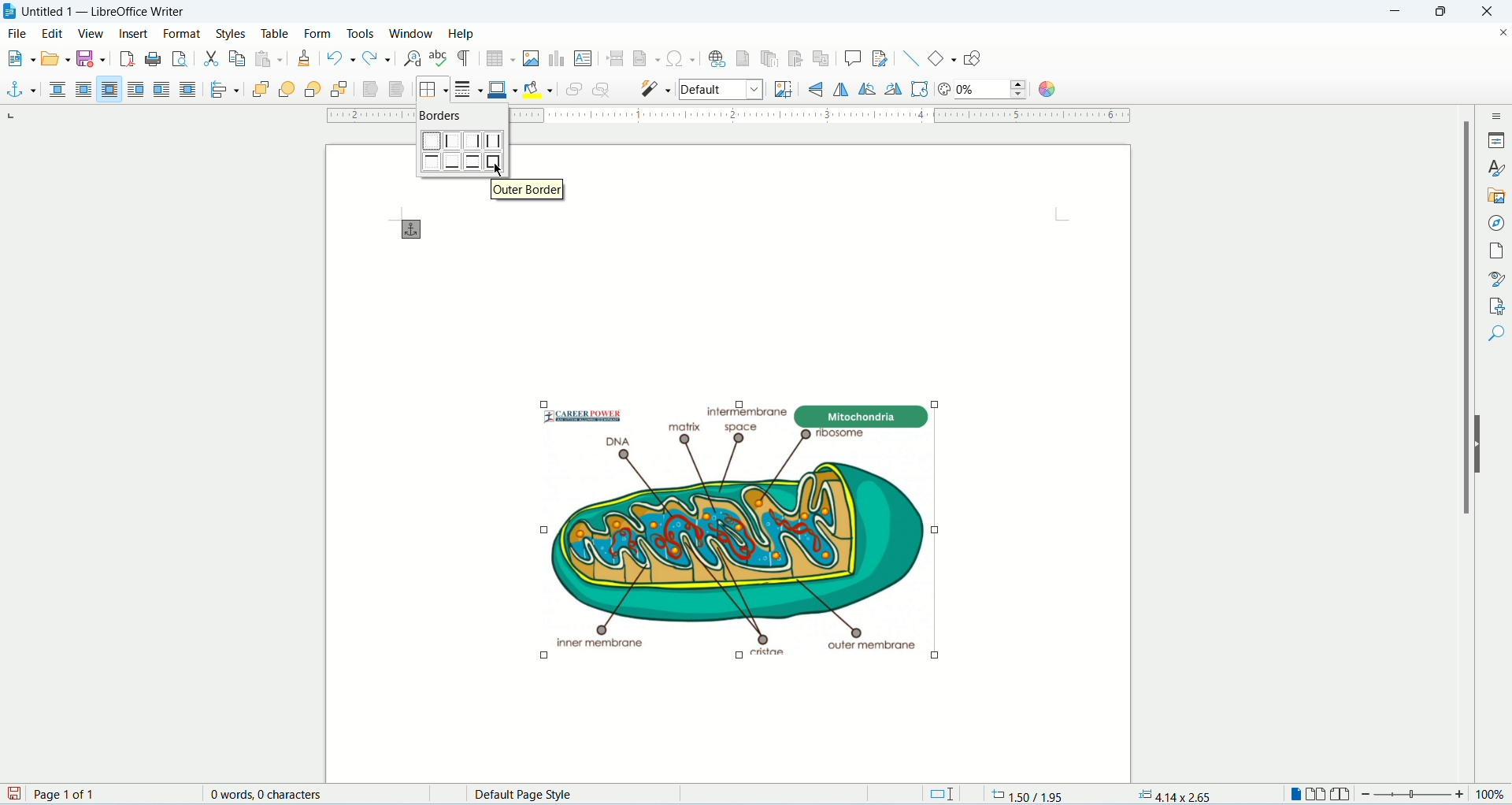 The image size is (1512, 805). Describe the element at coordinates (1498, 278) in the screenshot. I see `style inspector` at that location.